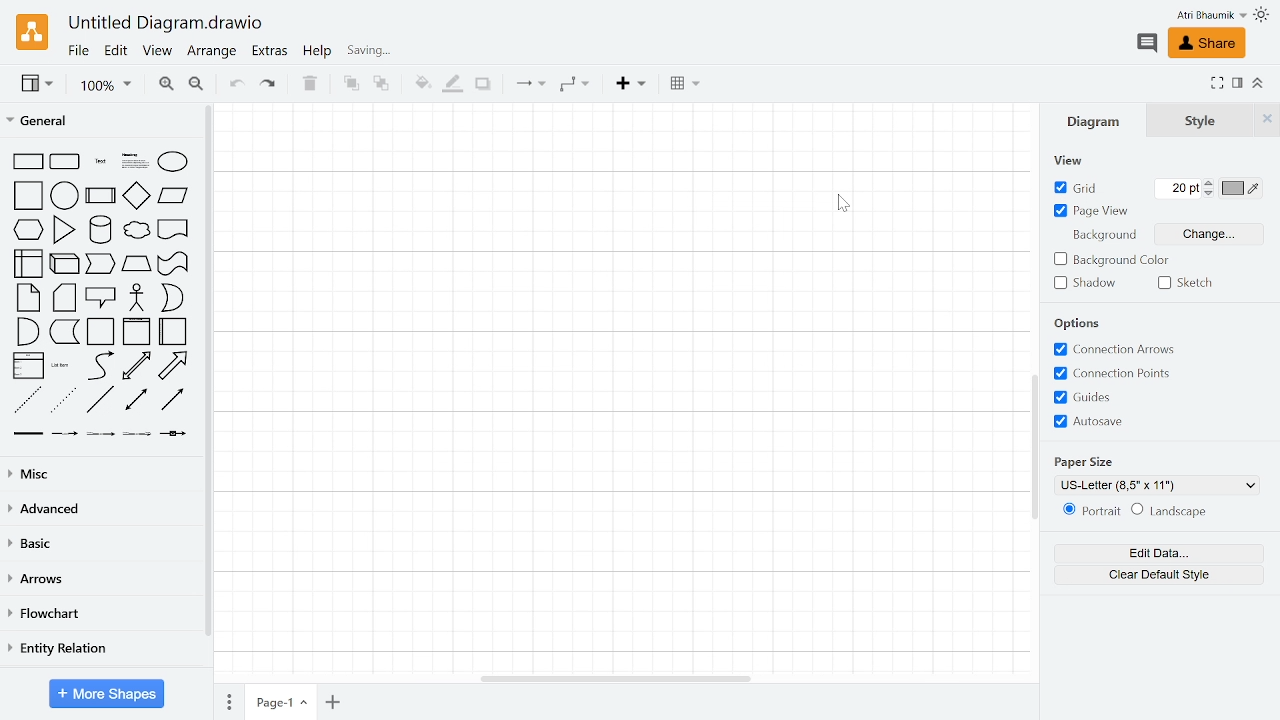 The height and width of the screenshot is (720, 1280). What do you see at coordinates (170, 23) in the screenshot?
I see `Current window` at bounding box center [170, 23].